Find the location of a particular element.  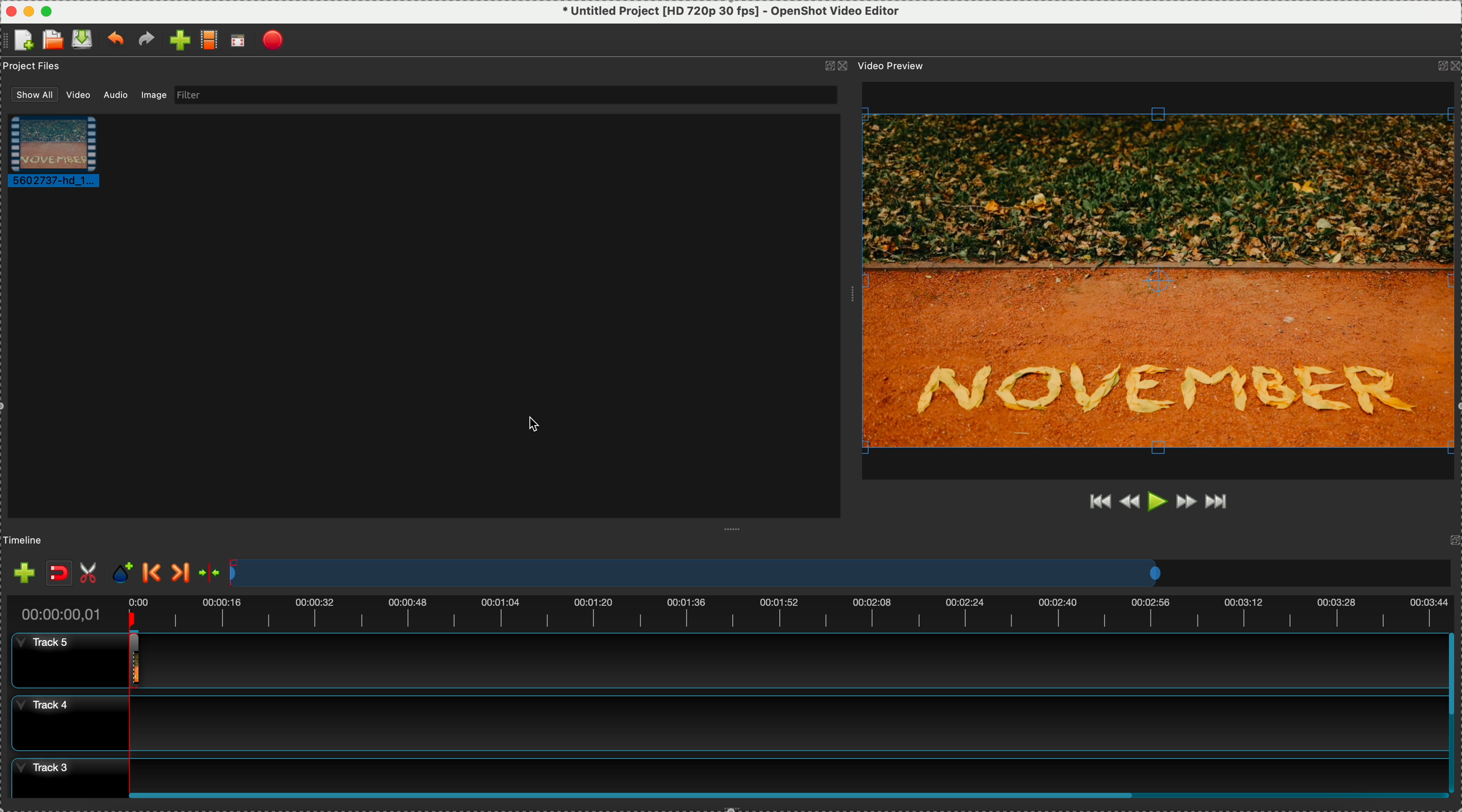

disable snaping is located at coordinates (59, 573).